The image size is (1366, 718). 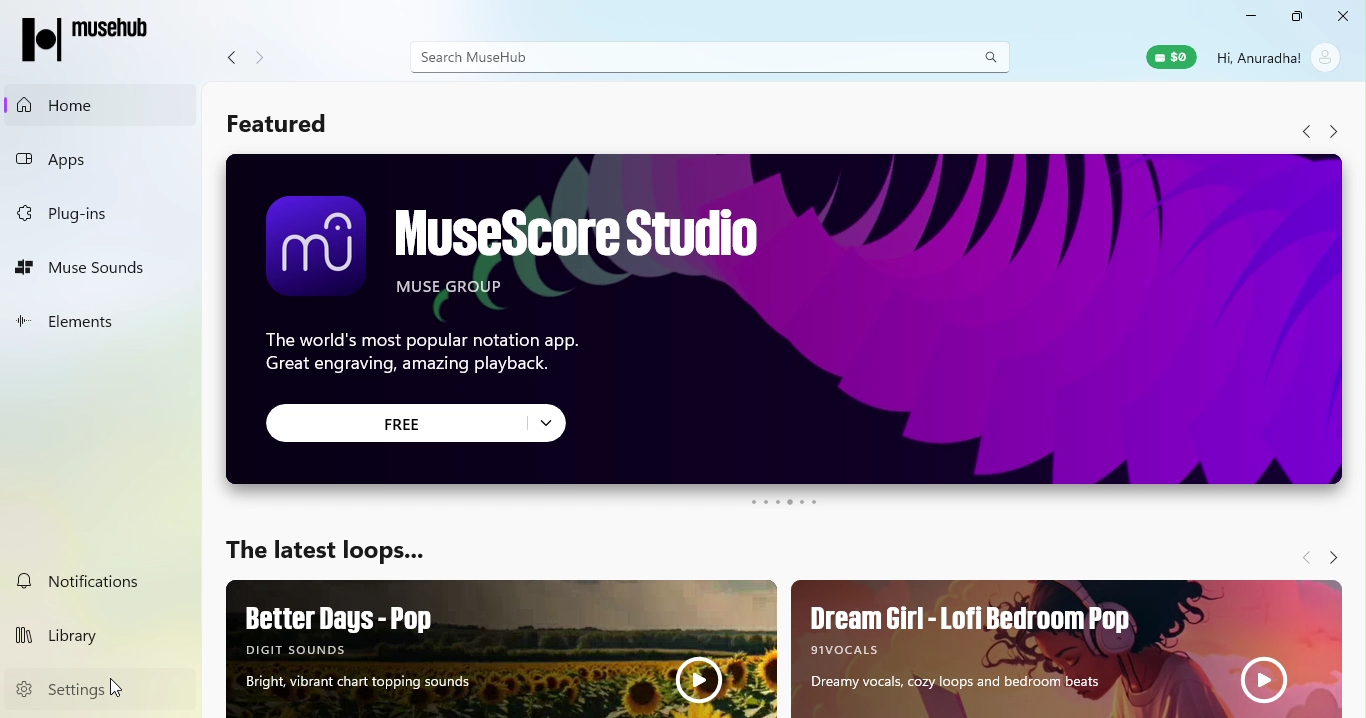 What do you see at coordinates (1325, 58) in the screenshot?
I see `account` at bounding box center [1325, 58].